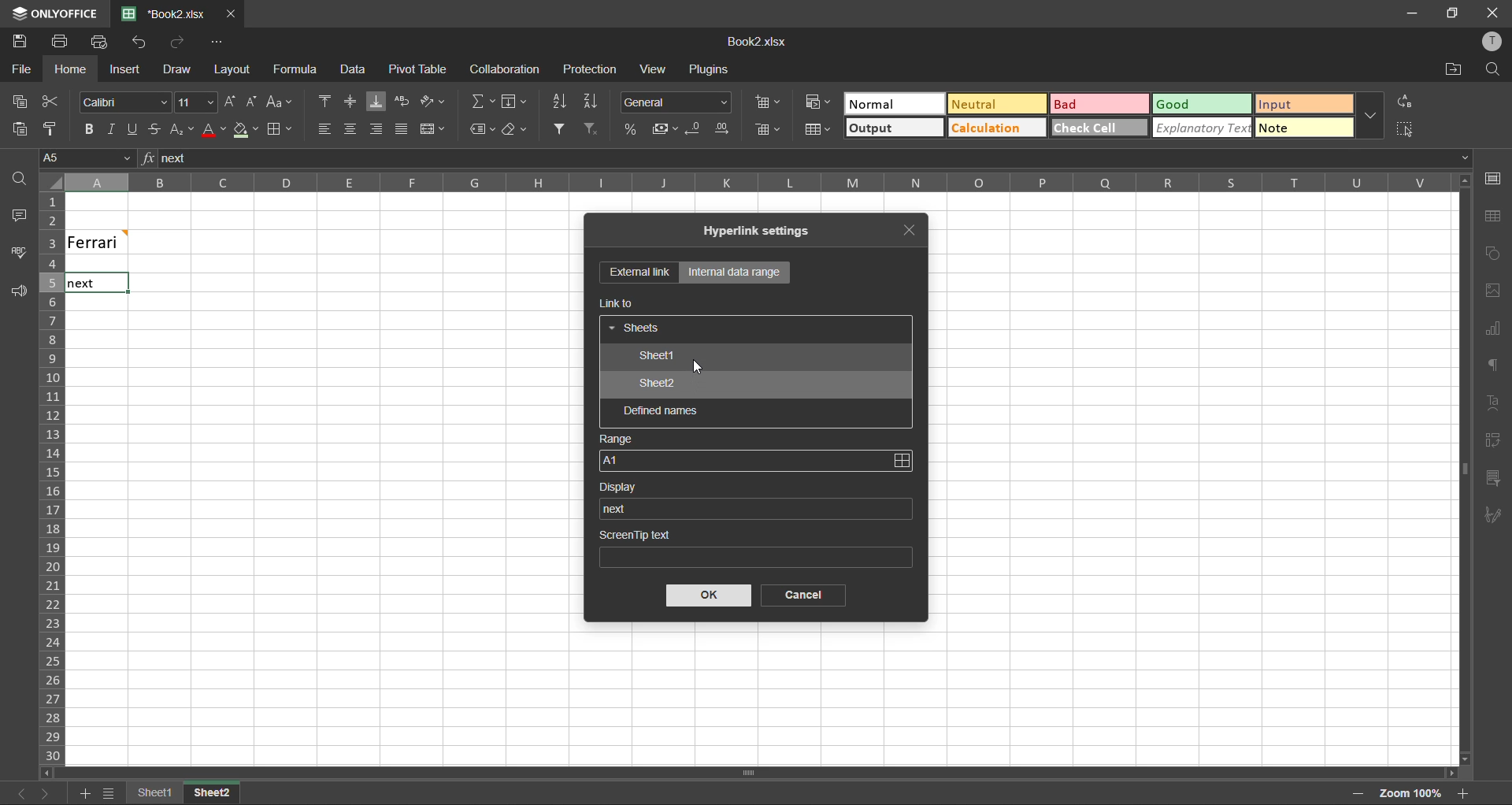  Describe the element at coordinates (1406, 129) in the screenshot. I see `select all` at that location.